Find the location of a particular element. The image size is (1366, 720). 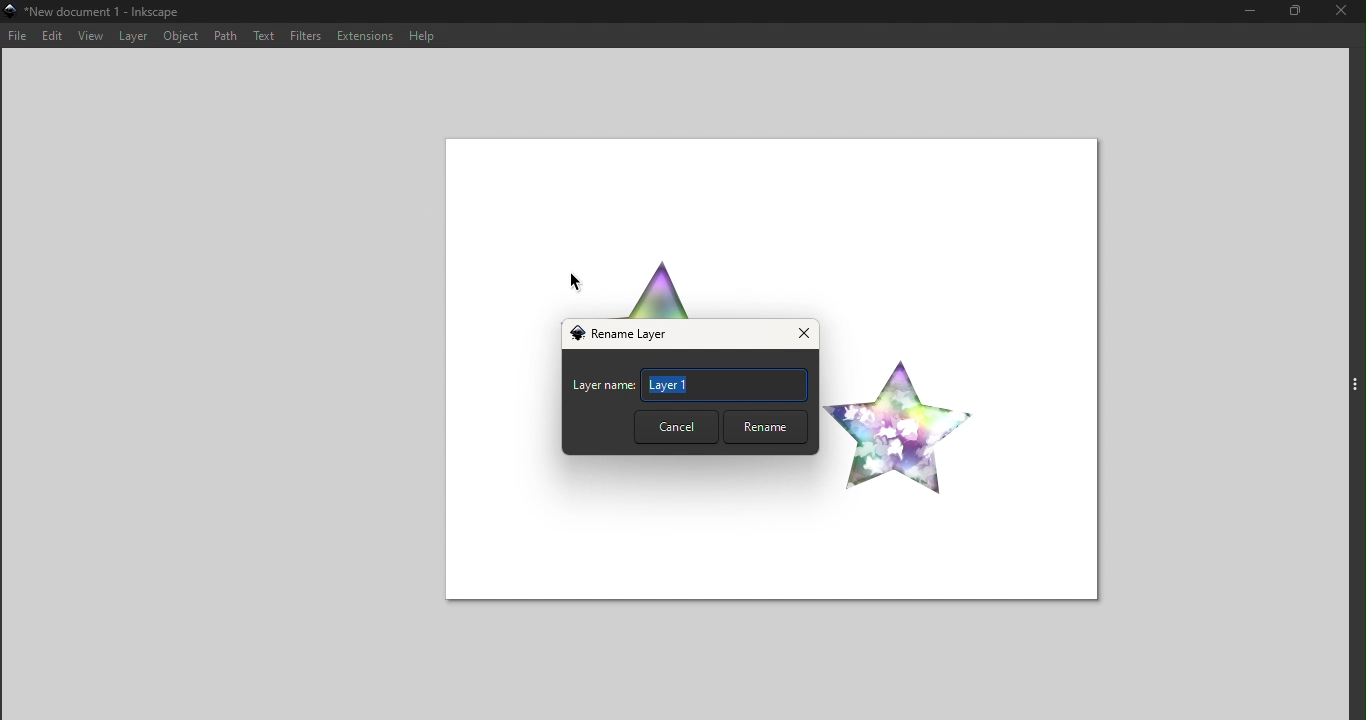

object is located at coordinates (181, 38).